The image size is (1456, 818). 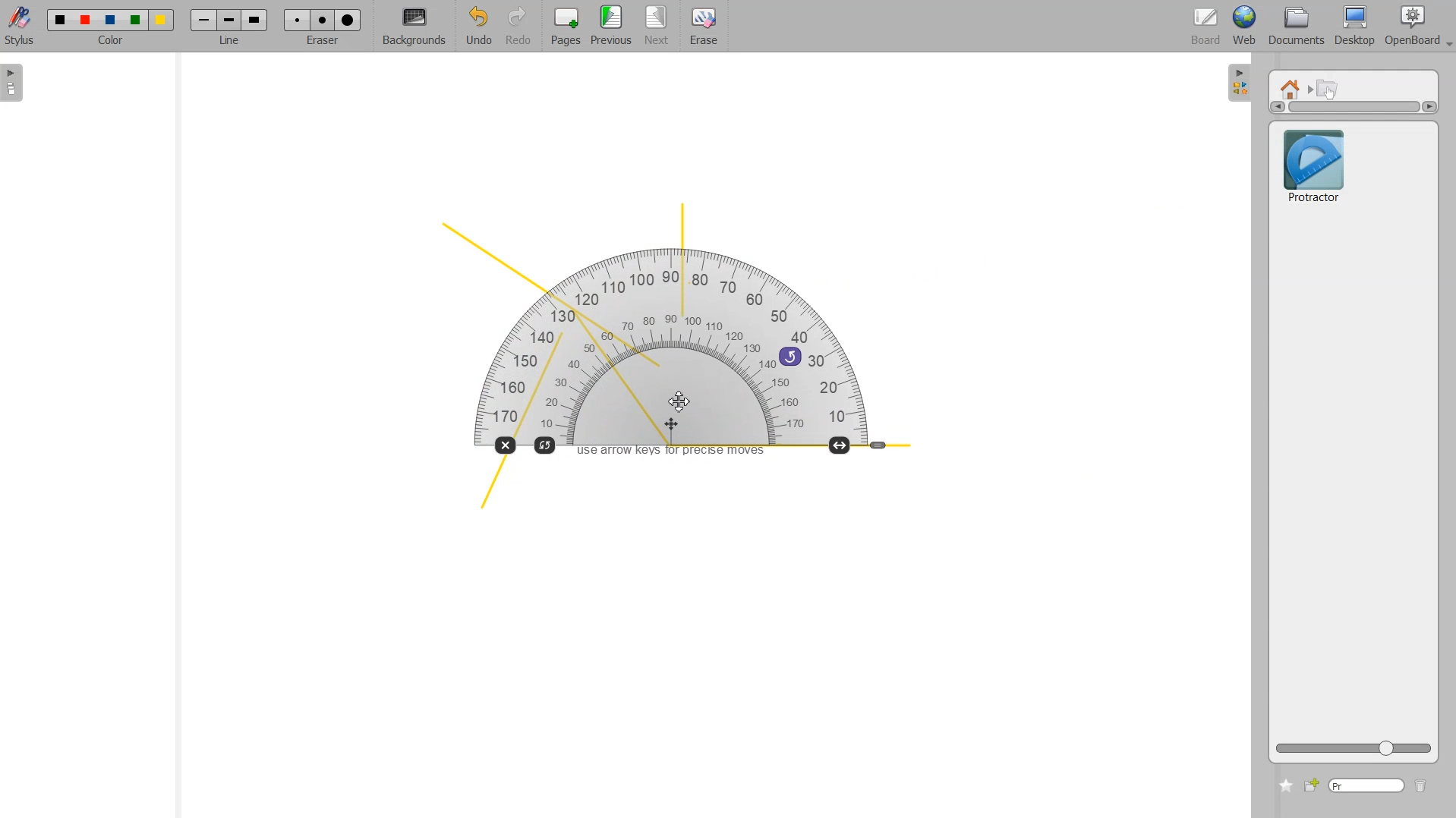 What do you see at coordinates (703, 27) in the screenshot?
I see `Erase` at bounding box center [703, 27].